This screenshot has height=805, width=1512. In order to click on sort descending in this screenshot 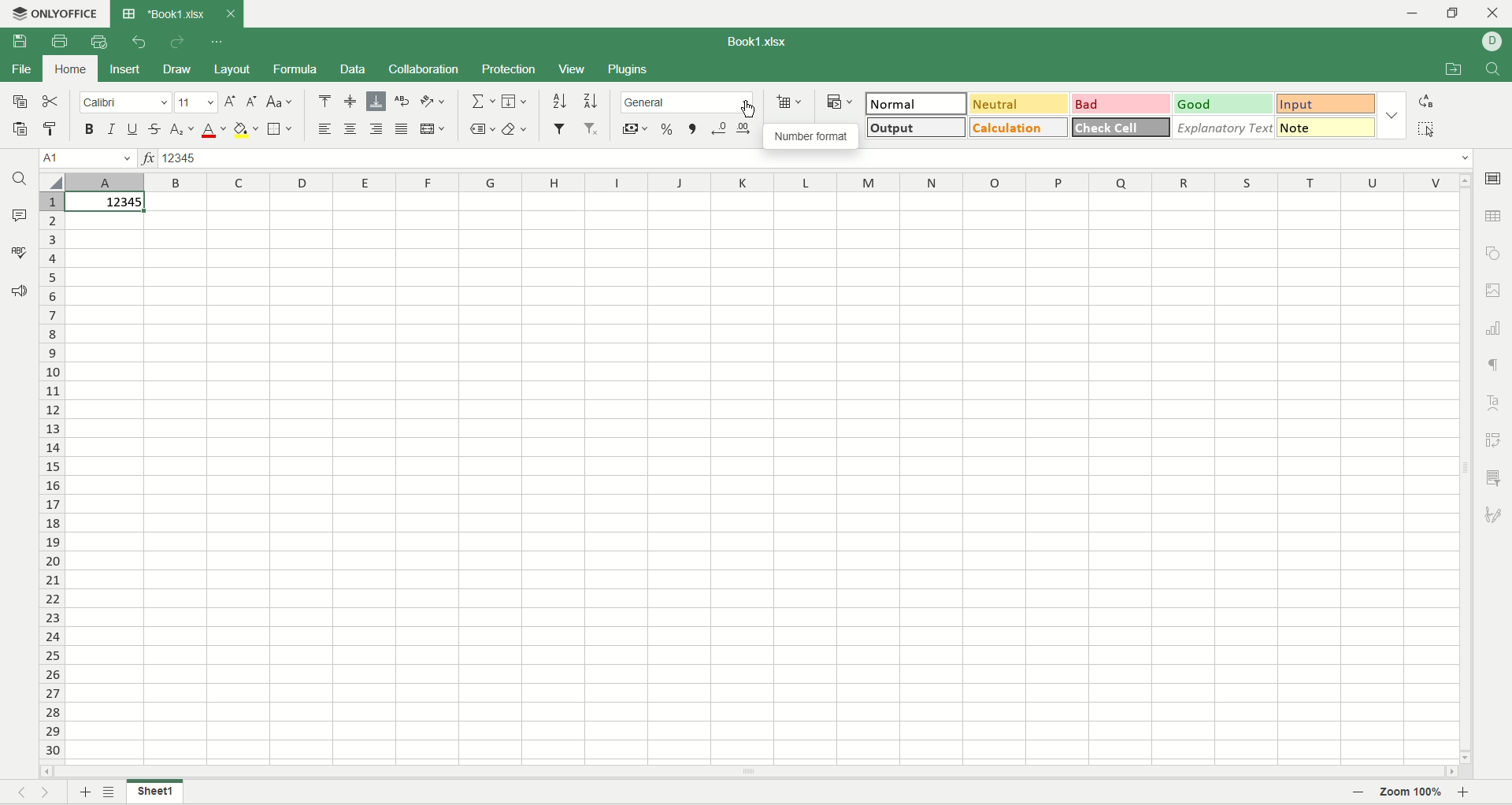, I will do `click(591, 102)`.